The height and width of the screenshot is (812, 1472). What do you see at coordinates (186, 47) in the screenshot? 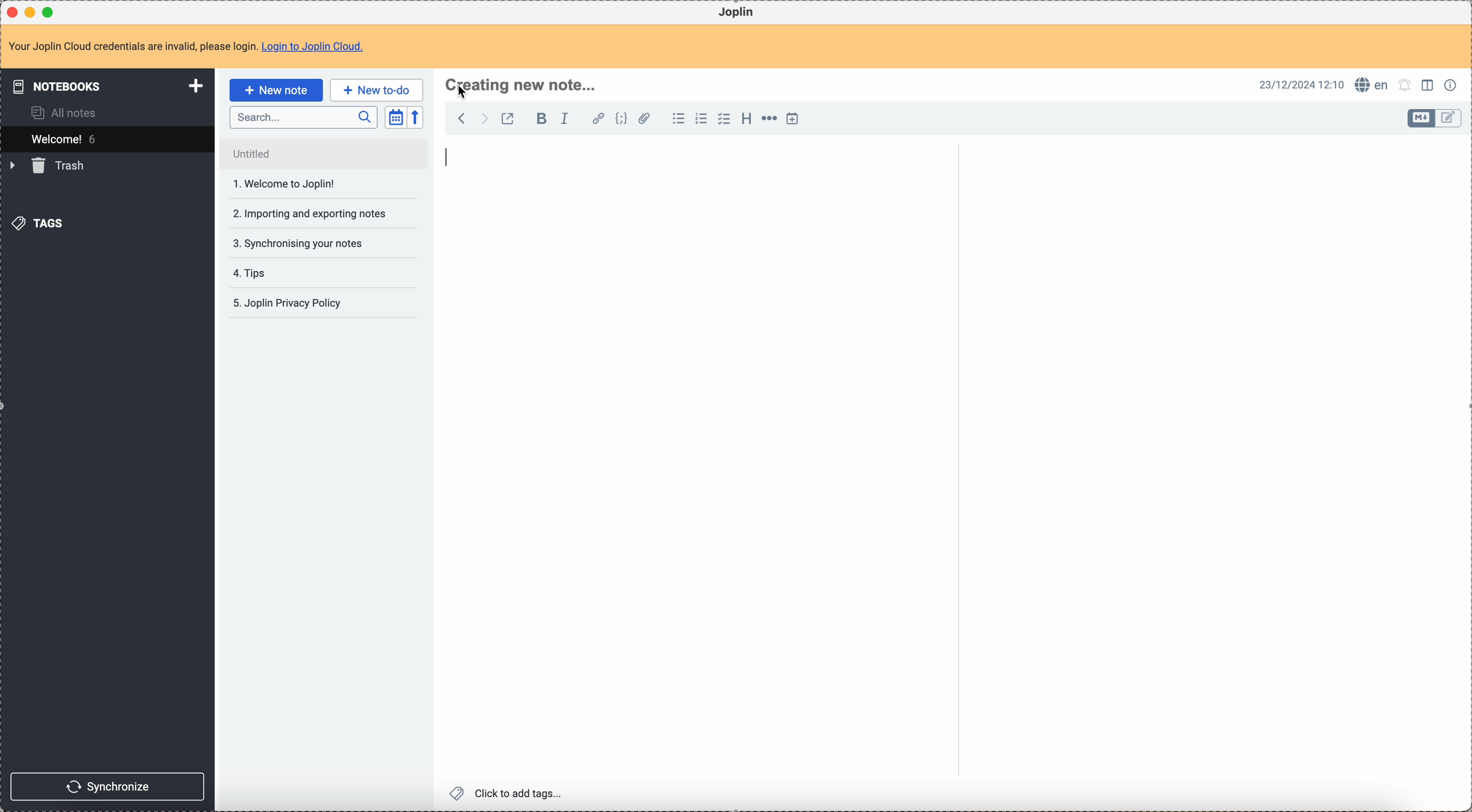
I see `note` at bounding box center [186, 47].